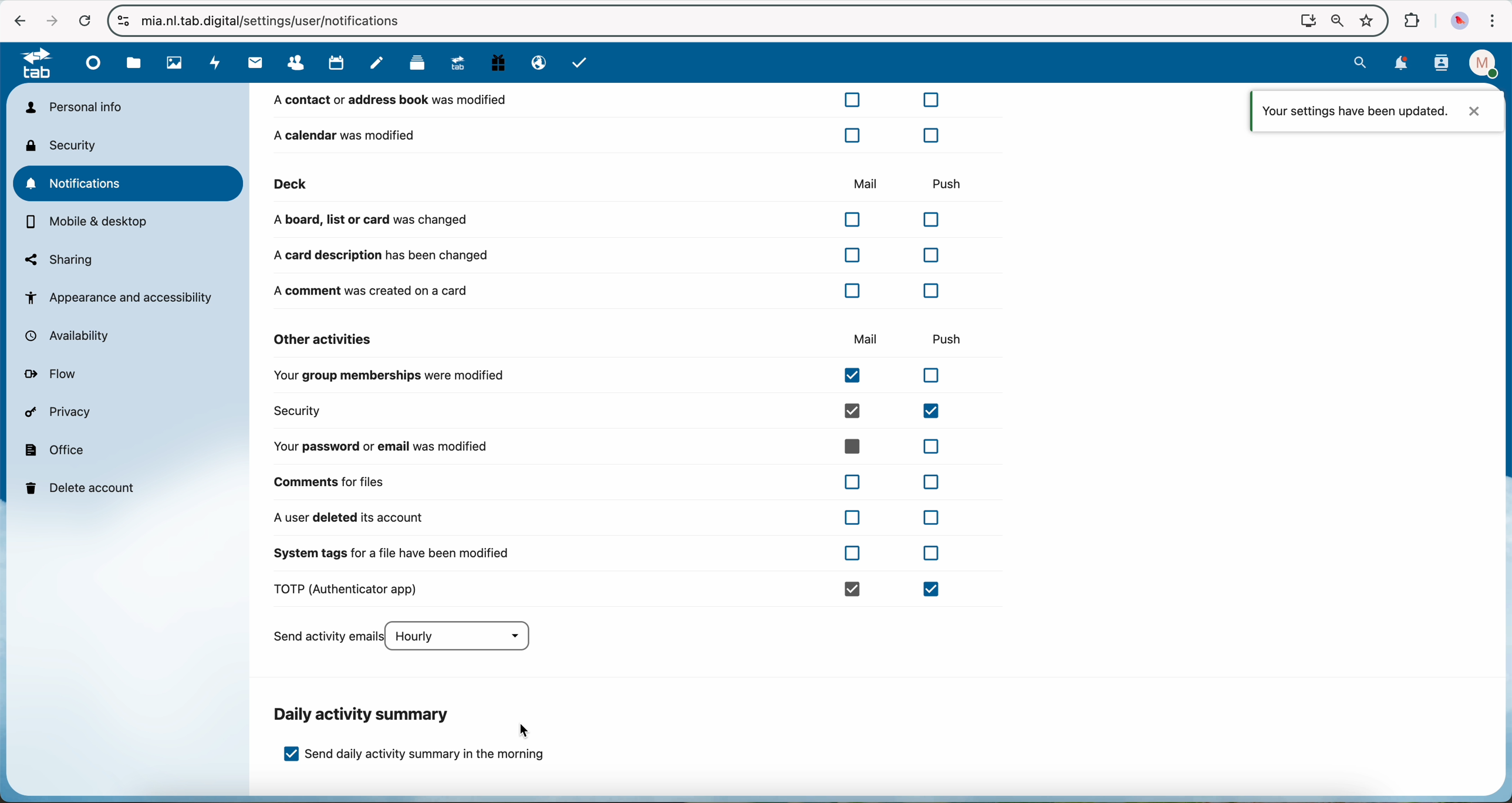  Describe the element at coordinates (324, 339) in the screenshot. I see `other activities` at that location.